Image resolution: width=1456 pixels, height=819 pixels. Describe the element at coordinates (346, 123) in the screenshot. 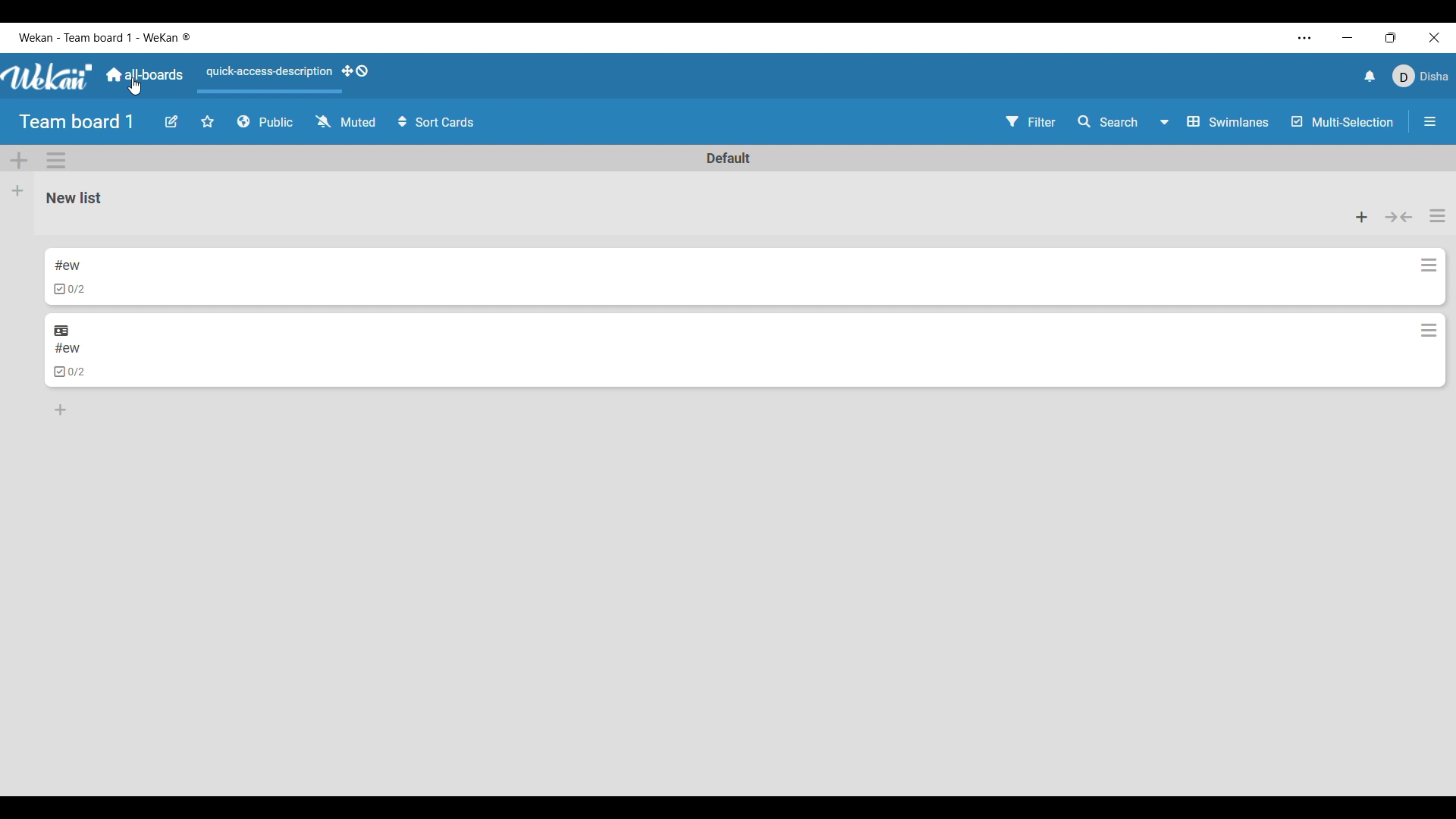

I see `Muted` at that location.